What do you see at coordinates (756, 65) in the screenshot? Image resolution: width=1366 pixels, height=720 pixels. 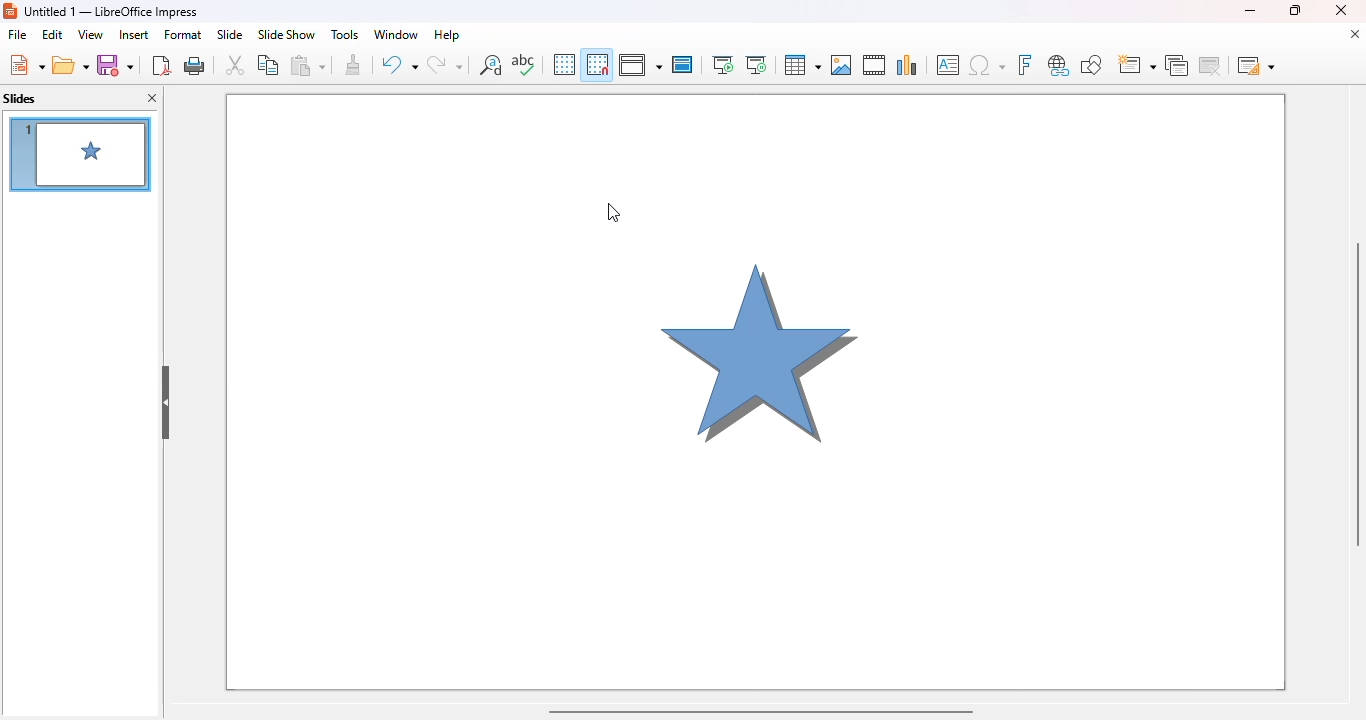 I see `start from current slide` at bounding box center [756, 65].